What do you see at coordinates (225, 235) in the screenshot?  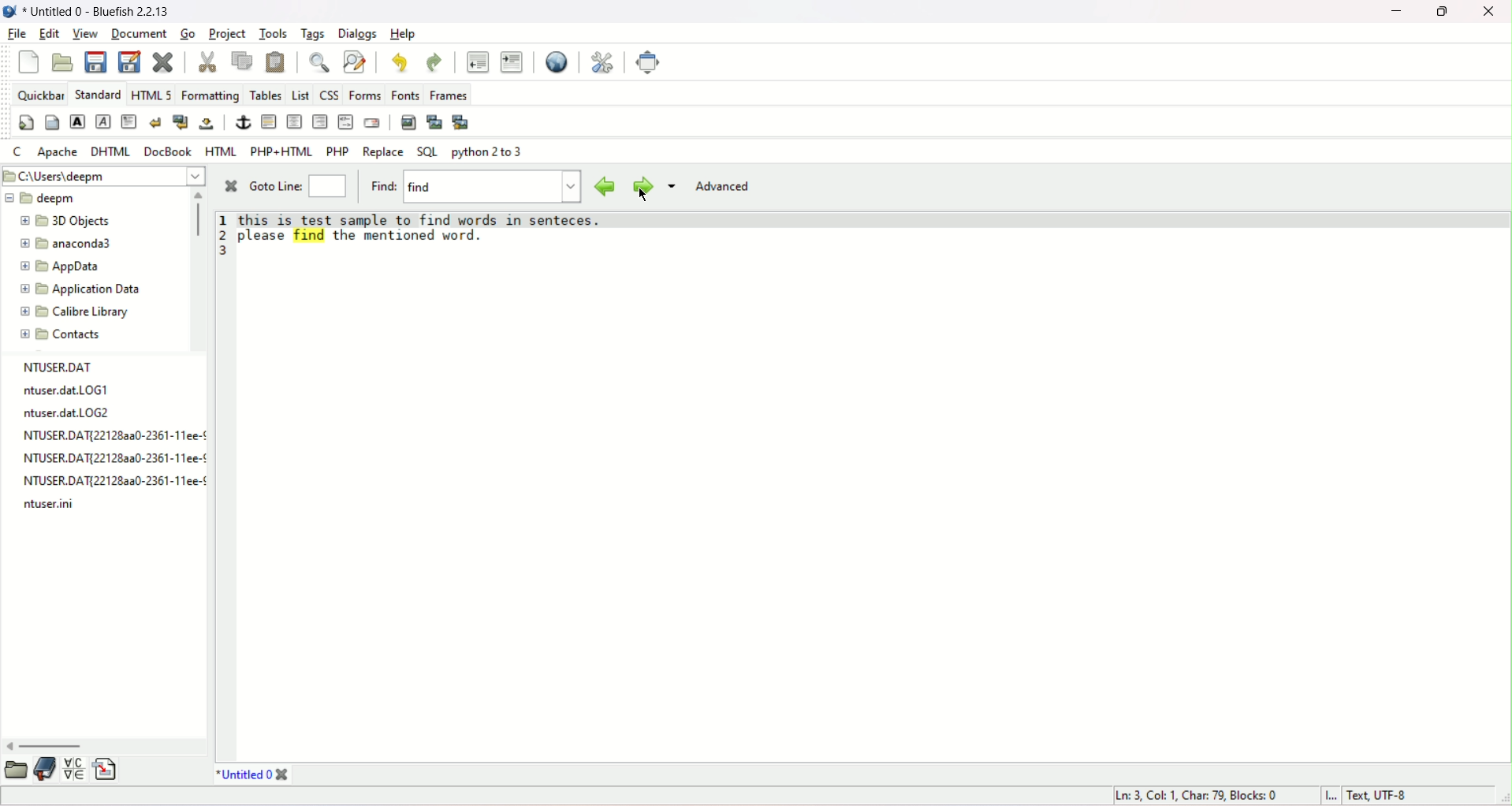 I see `line number` at bounding box center [225, 235].